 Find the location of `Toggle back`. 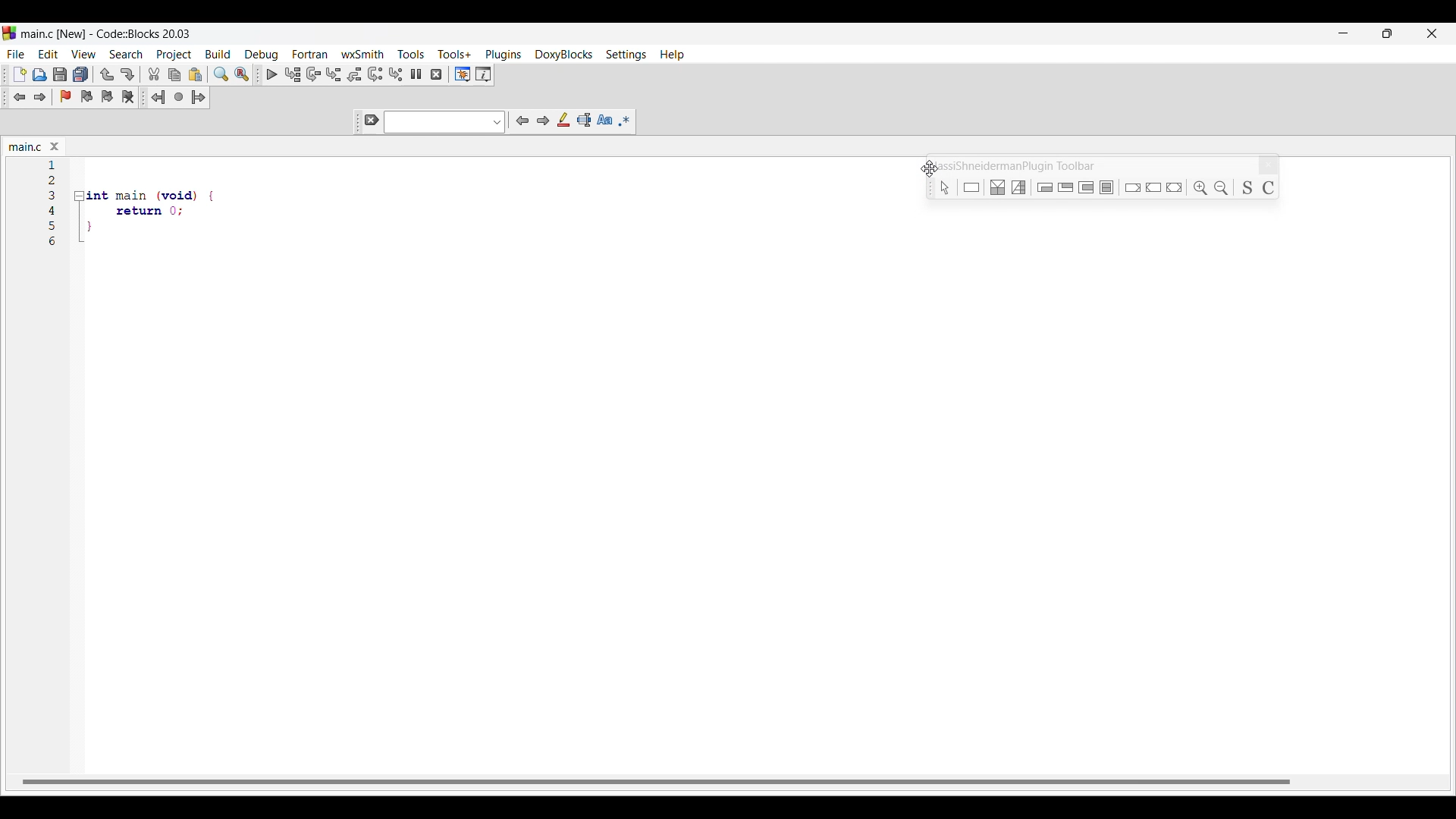

Toggle back is located at coordinates (20, 97).